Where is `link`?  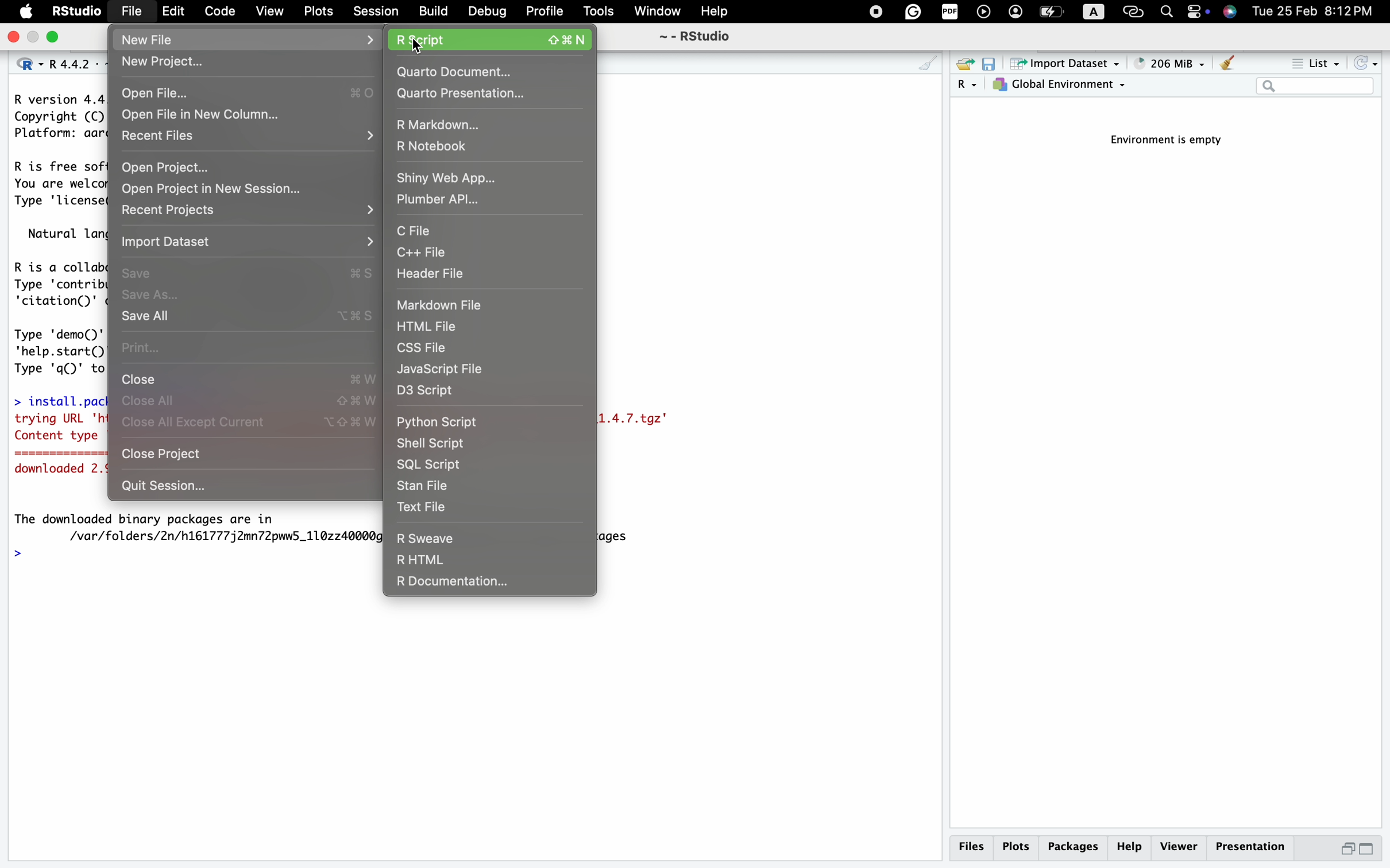 link is located at coordinates (1134, 11).